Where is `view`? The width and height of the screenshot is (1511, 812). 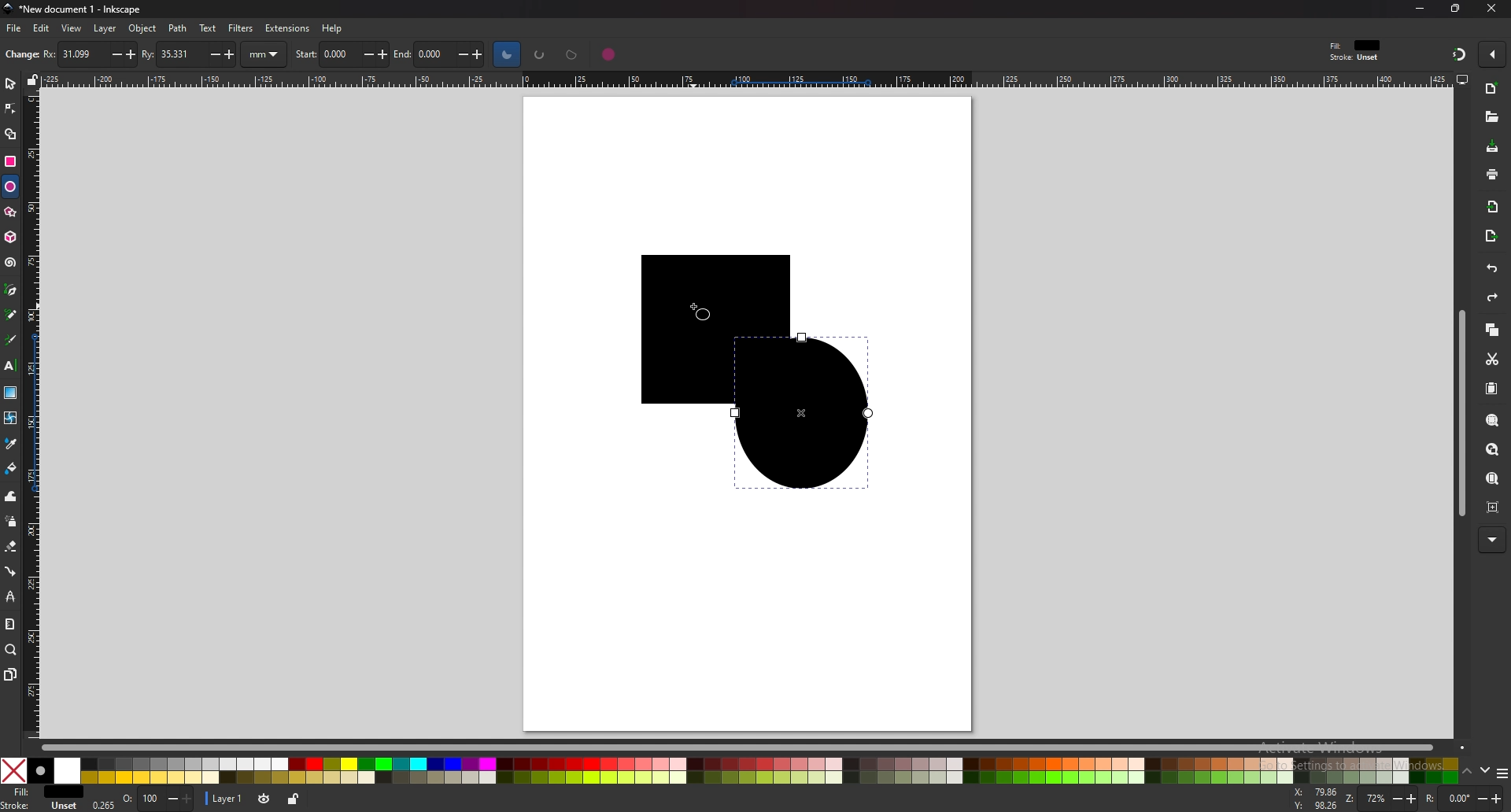
view is located at coordinates (72, 28).